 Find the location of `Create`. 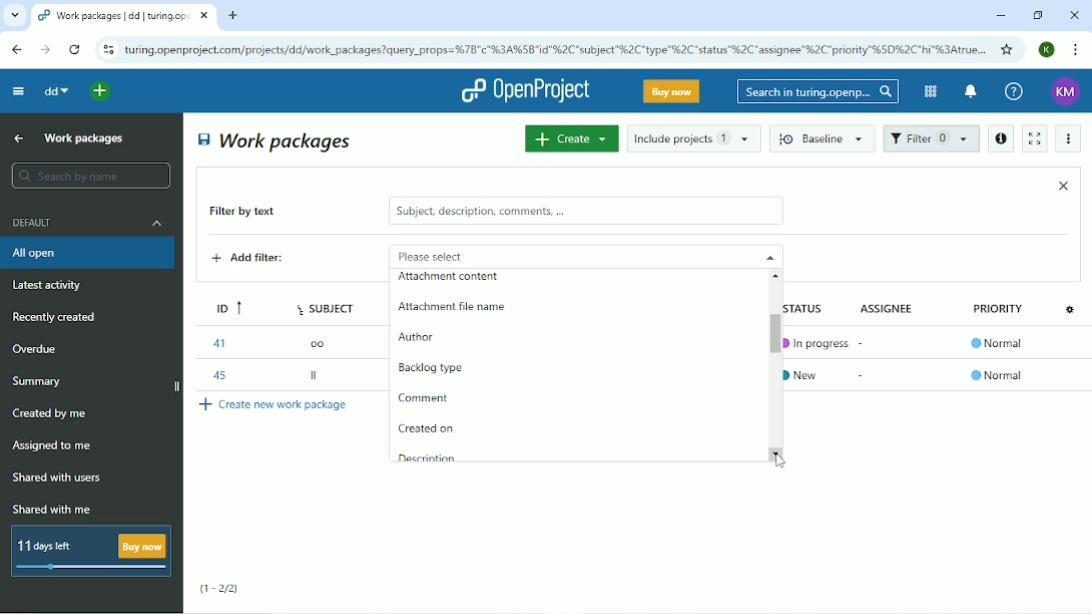

Create is located at coordinates (571, 138).